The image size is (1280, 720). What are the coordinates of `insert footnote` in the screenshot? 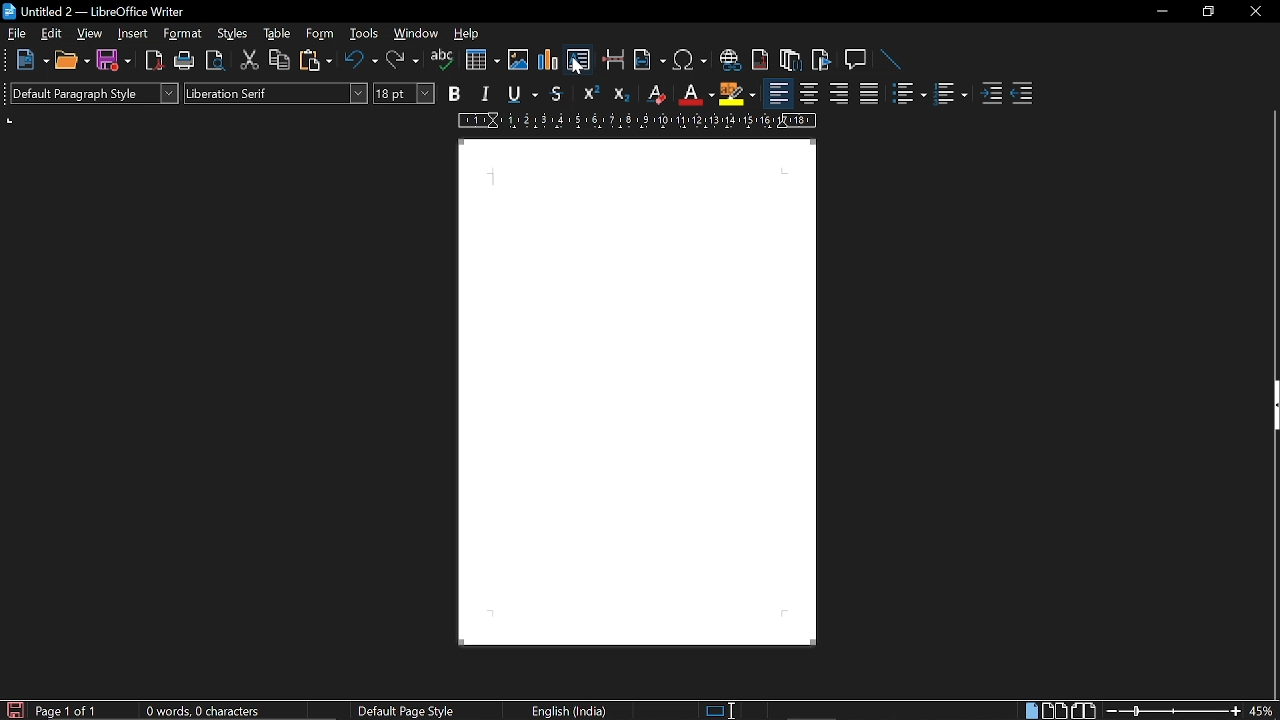 It's located at (761, 61).